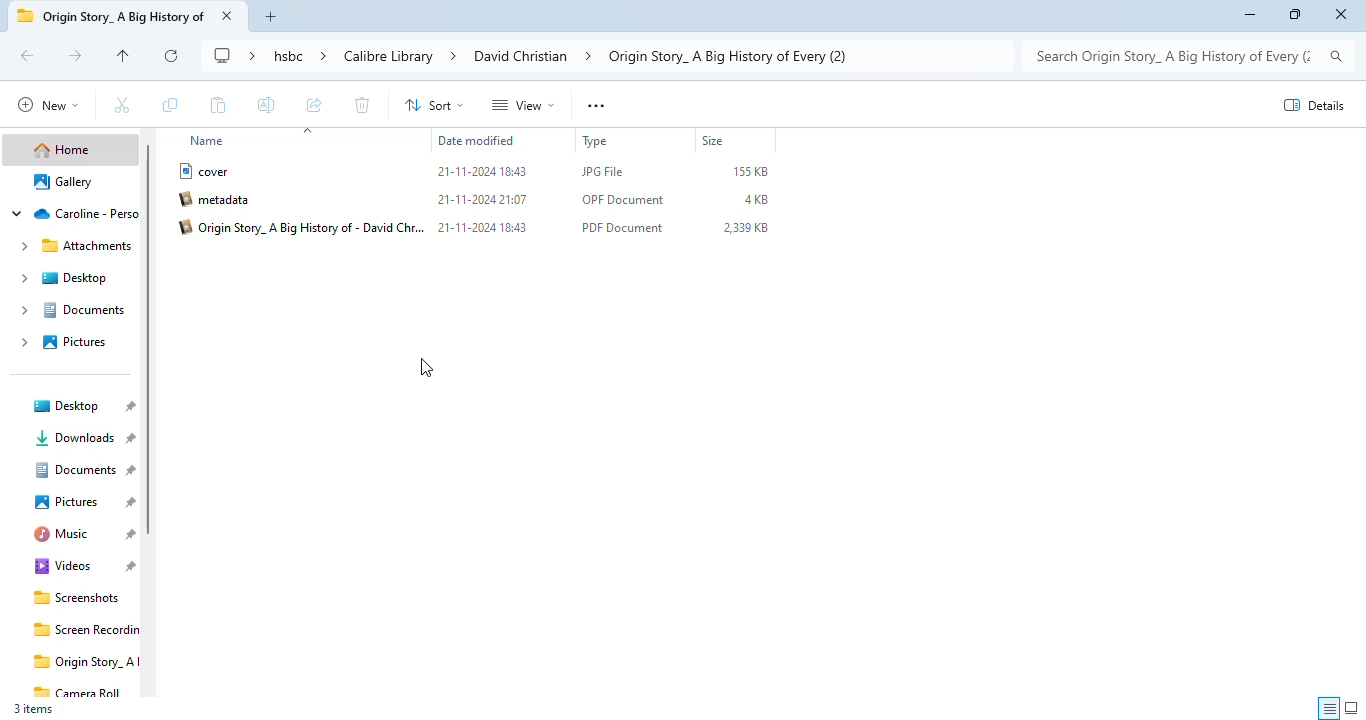  What do you see at coordinates (31, 711) in the screenshot?
I see `3 items` at bounding box center [31, 711].